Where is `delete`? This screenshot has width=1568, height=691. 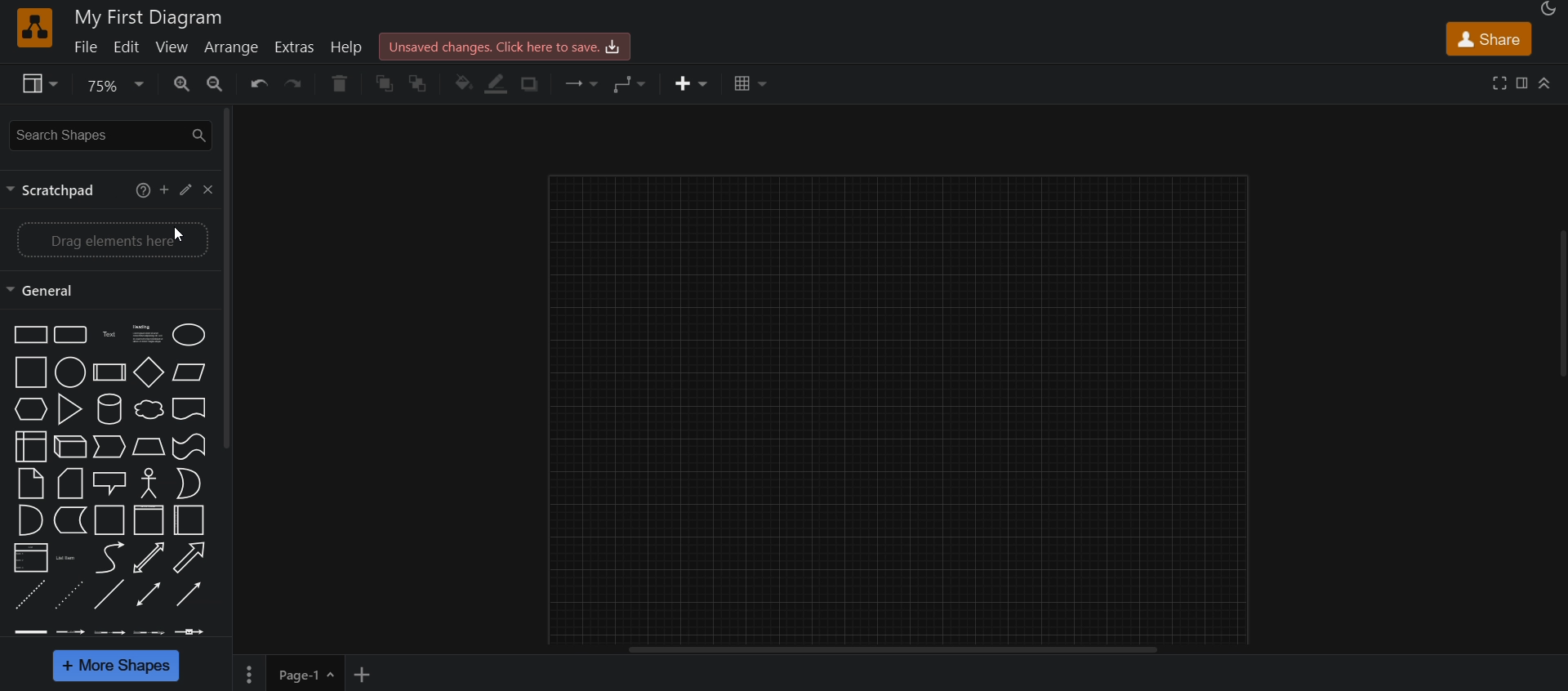
delete is located at coordinates (339, 85).